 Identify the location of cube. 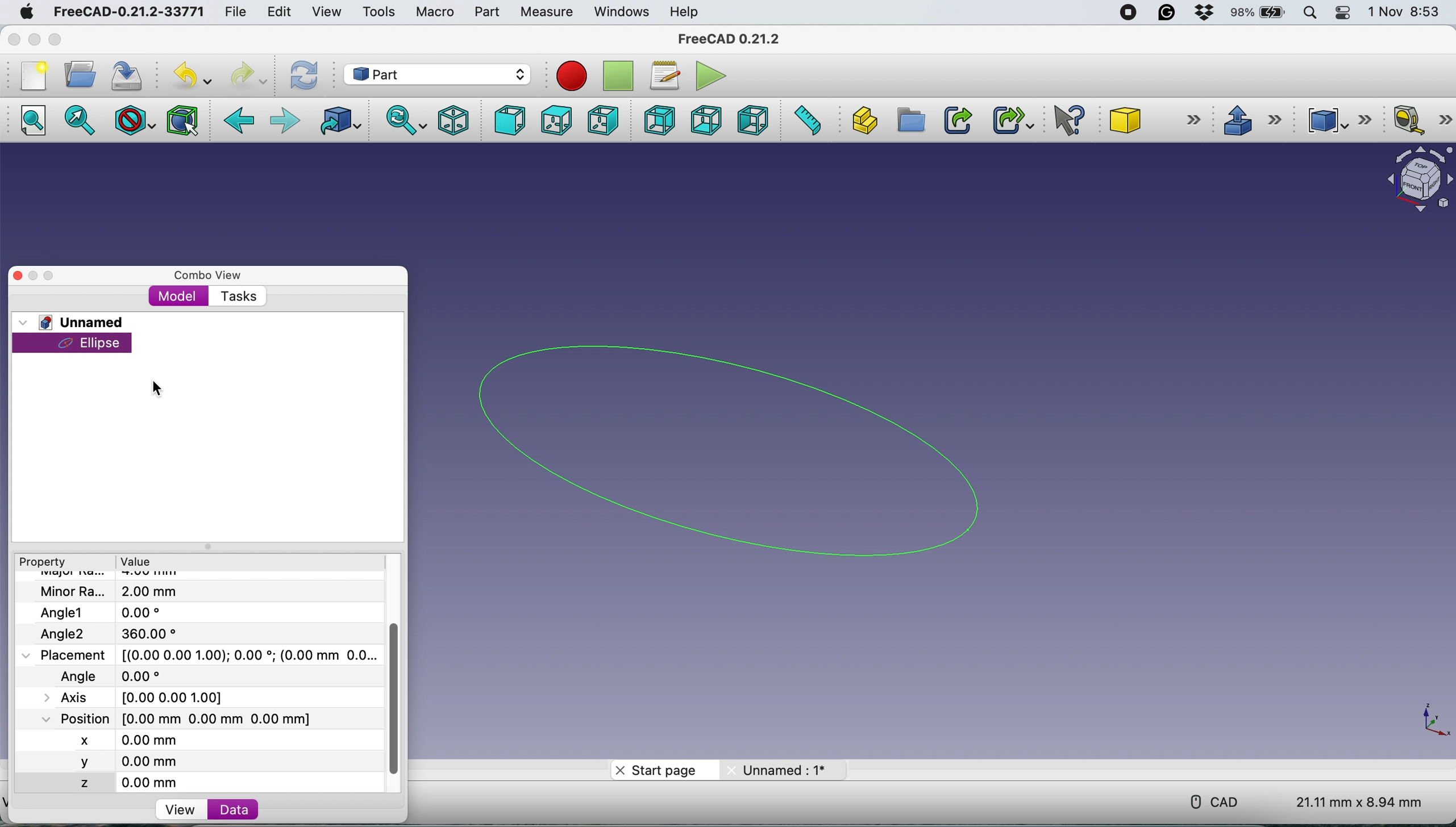
(1157, 118).